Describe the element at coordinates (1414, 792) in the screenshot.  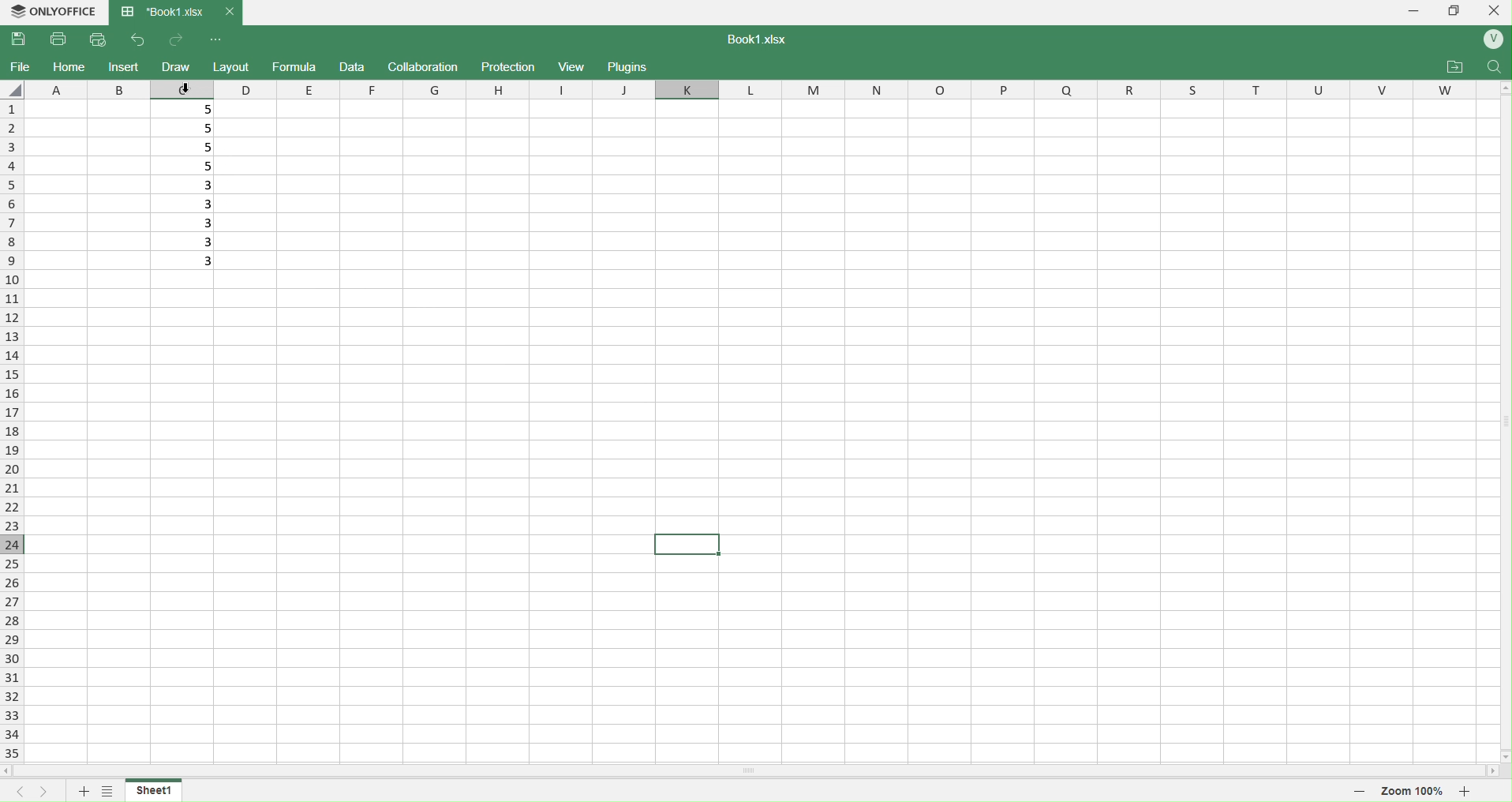
I see `Zoom` at that location.